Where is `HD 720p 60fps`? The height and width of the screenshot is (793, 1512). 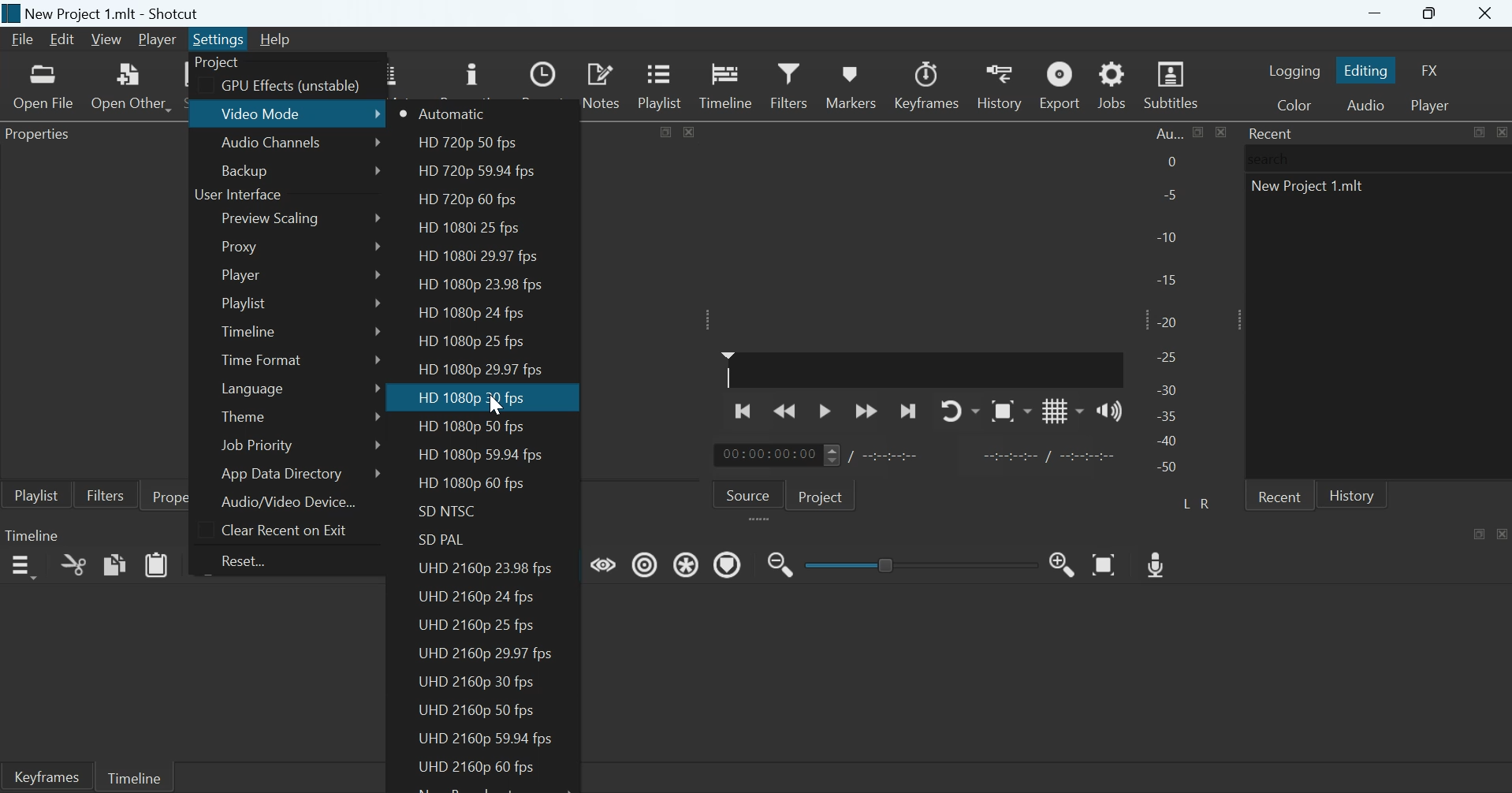 HD 720p 60fps is located at coordinates (467, 201).